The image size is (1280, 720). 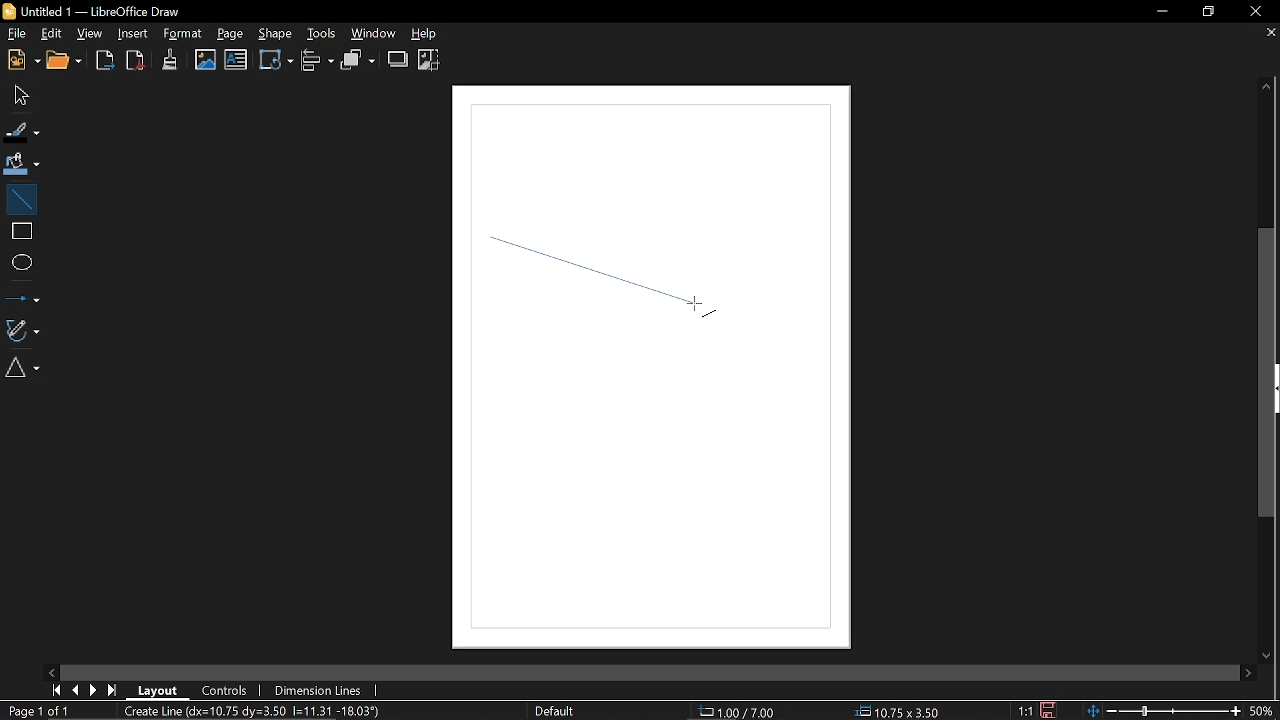 I want to click on Crop image, so click(x=431, y=59).